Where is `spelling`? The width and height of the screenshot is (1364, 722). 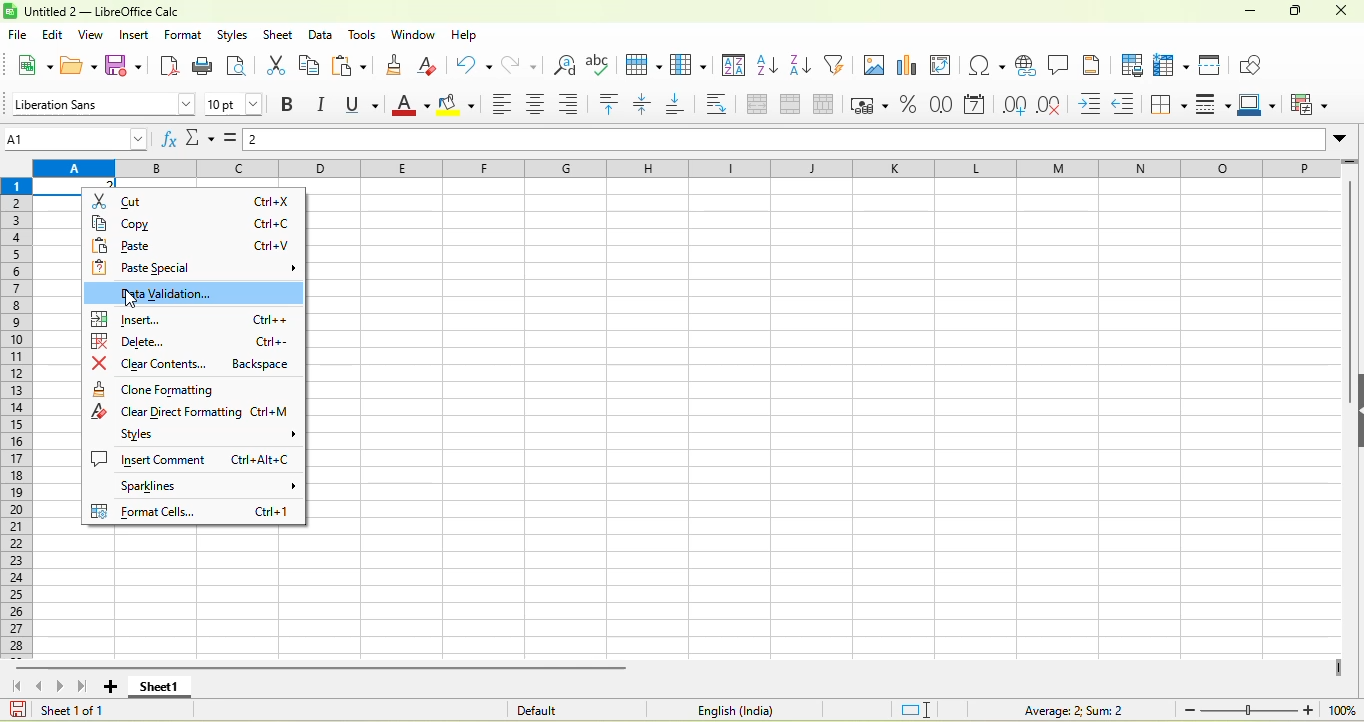
spelling is located at coordinates (601, 65).